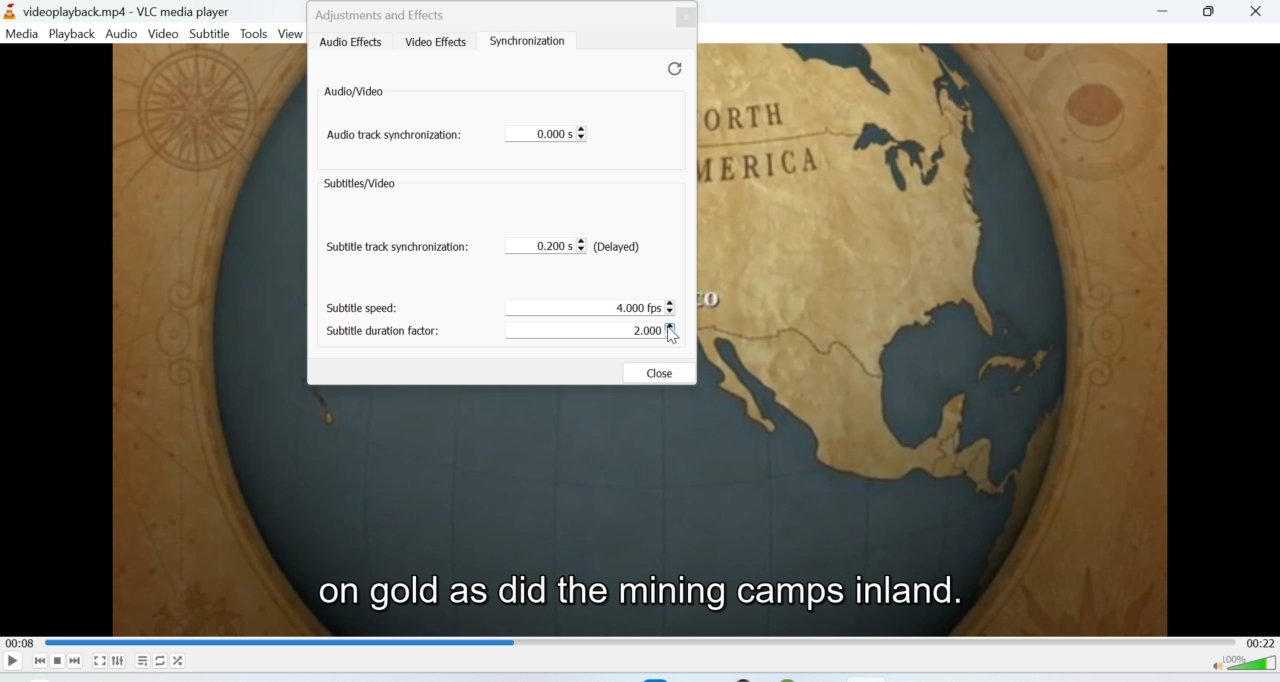  I want to click on Playbar, so click(645, 642).